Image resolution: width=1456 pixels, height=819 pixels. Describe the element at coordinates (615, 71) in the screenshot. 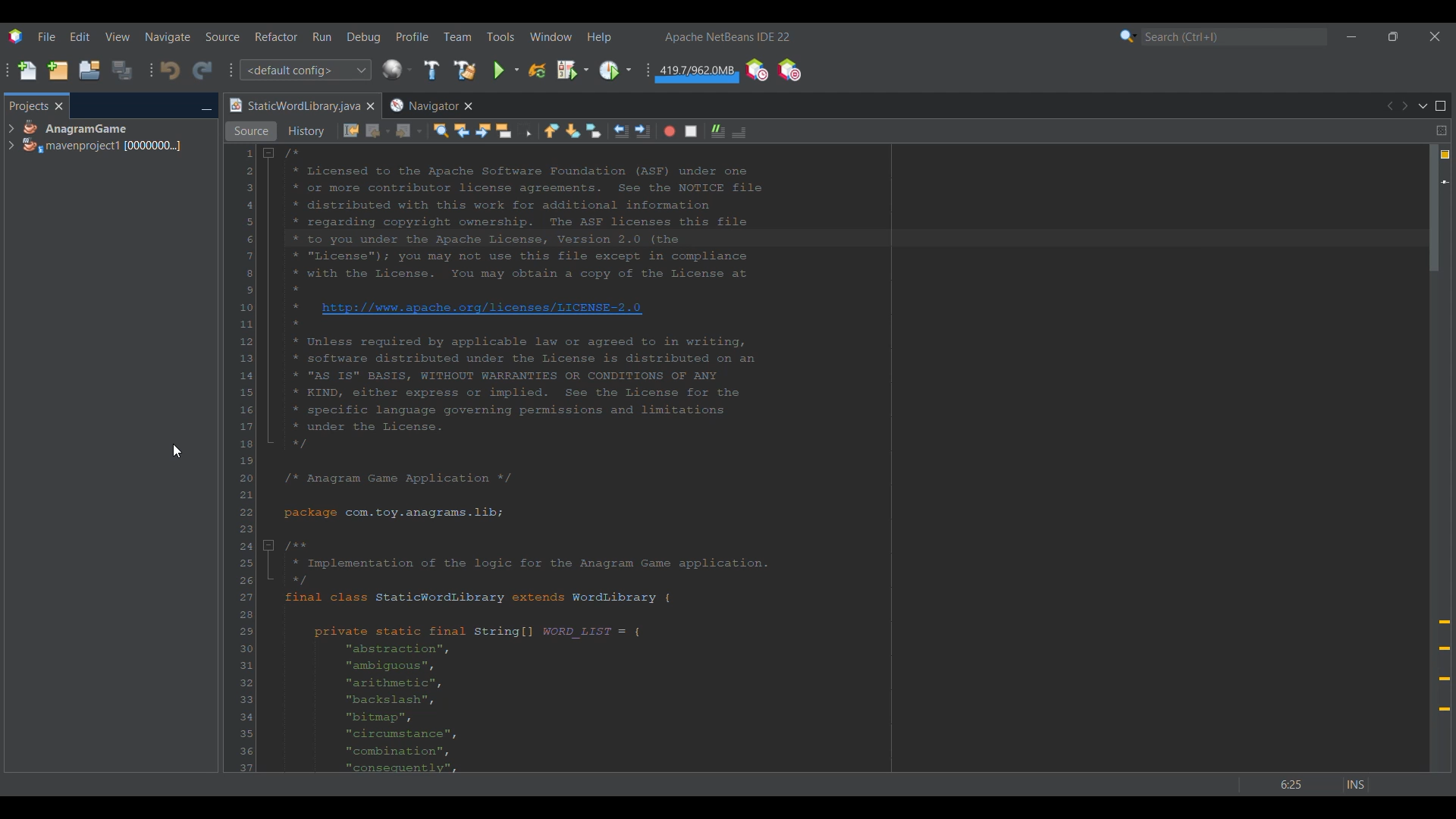

I see `Profile main project options` at that location.